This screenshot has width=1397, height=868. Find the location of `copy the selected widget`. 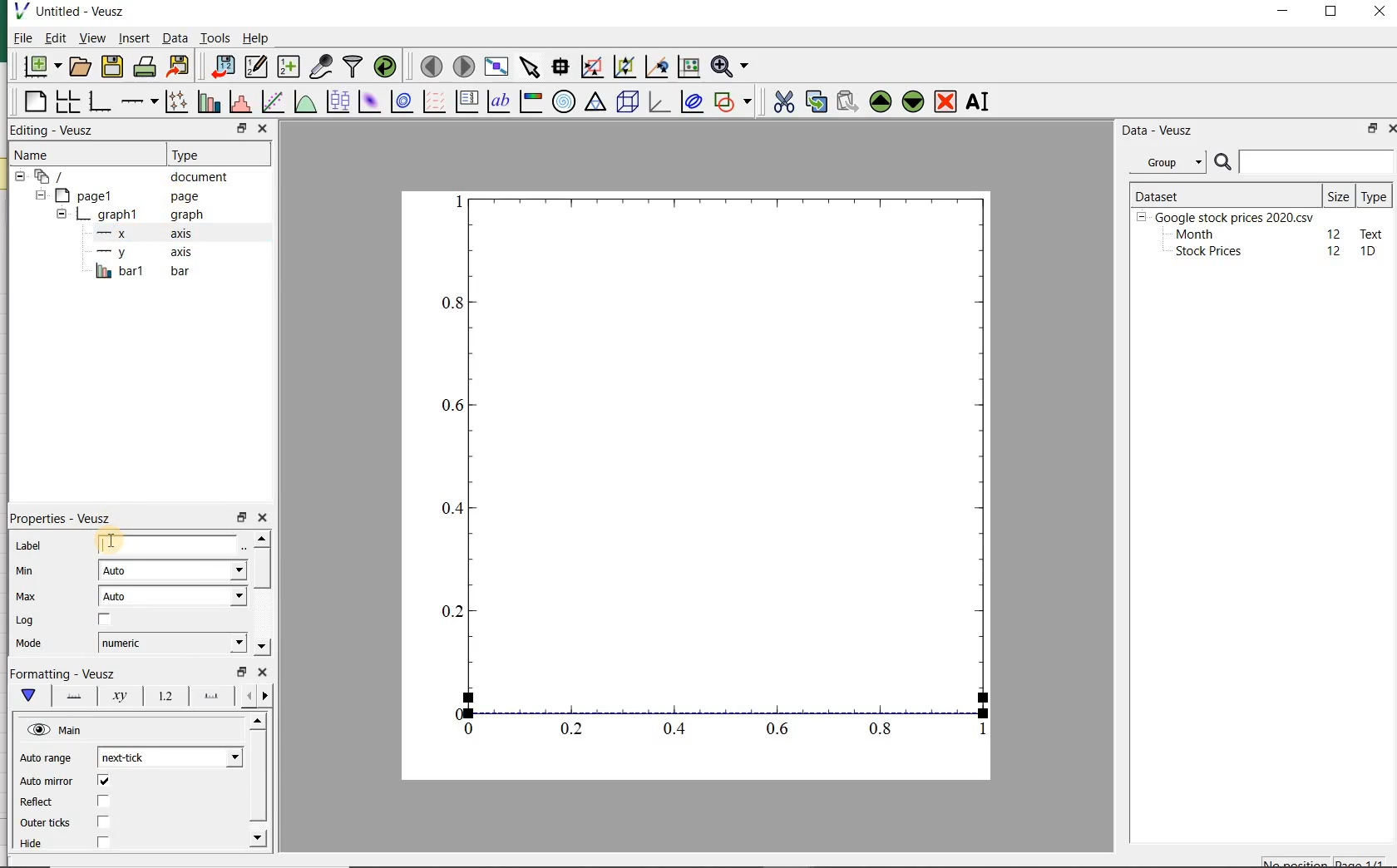

copy the selected widget is located at coordinates (815, 102).